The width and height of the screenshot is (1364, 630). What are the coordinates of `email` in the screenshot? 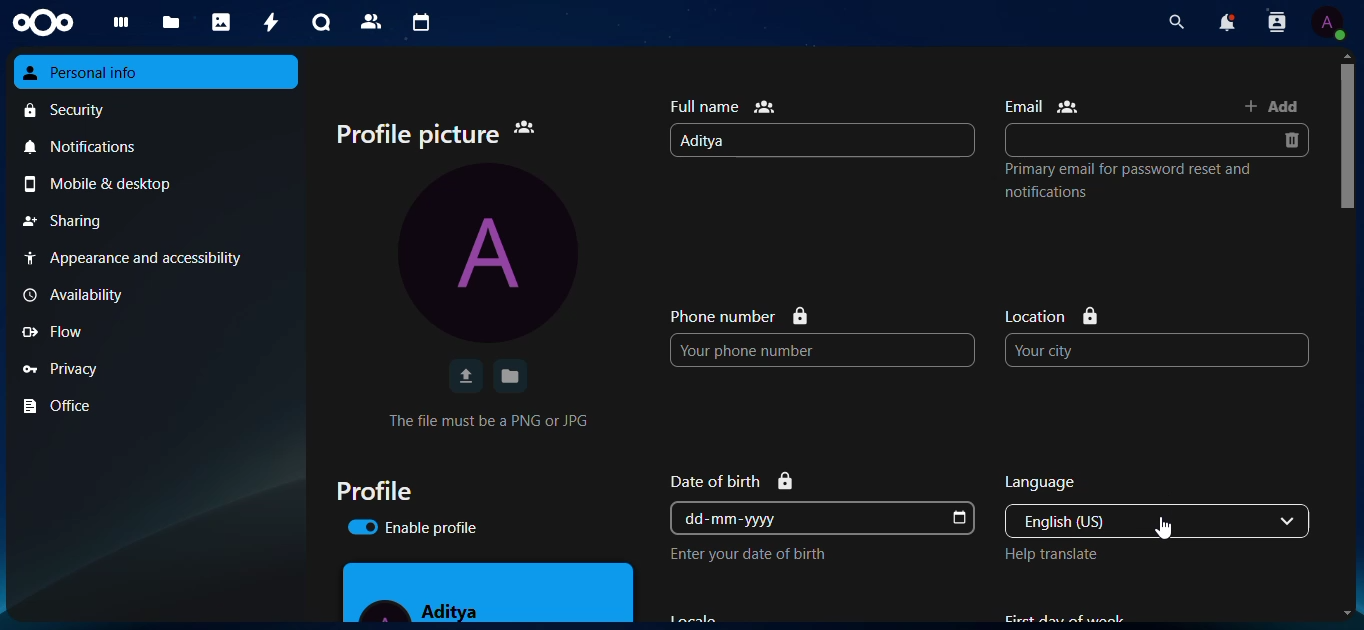 It's located at (1120, 140).